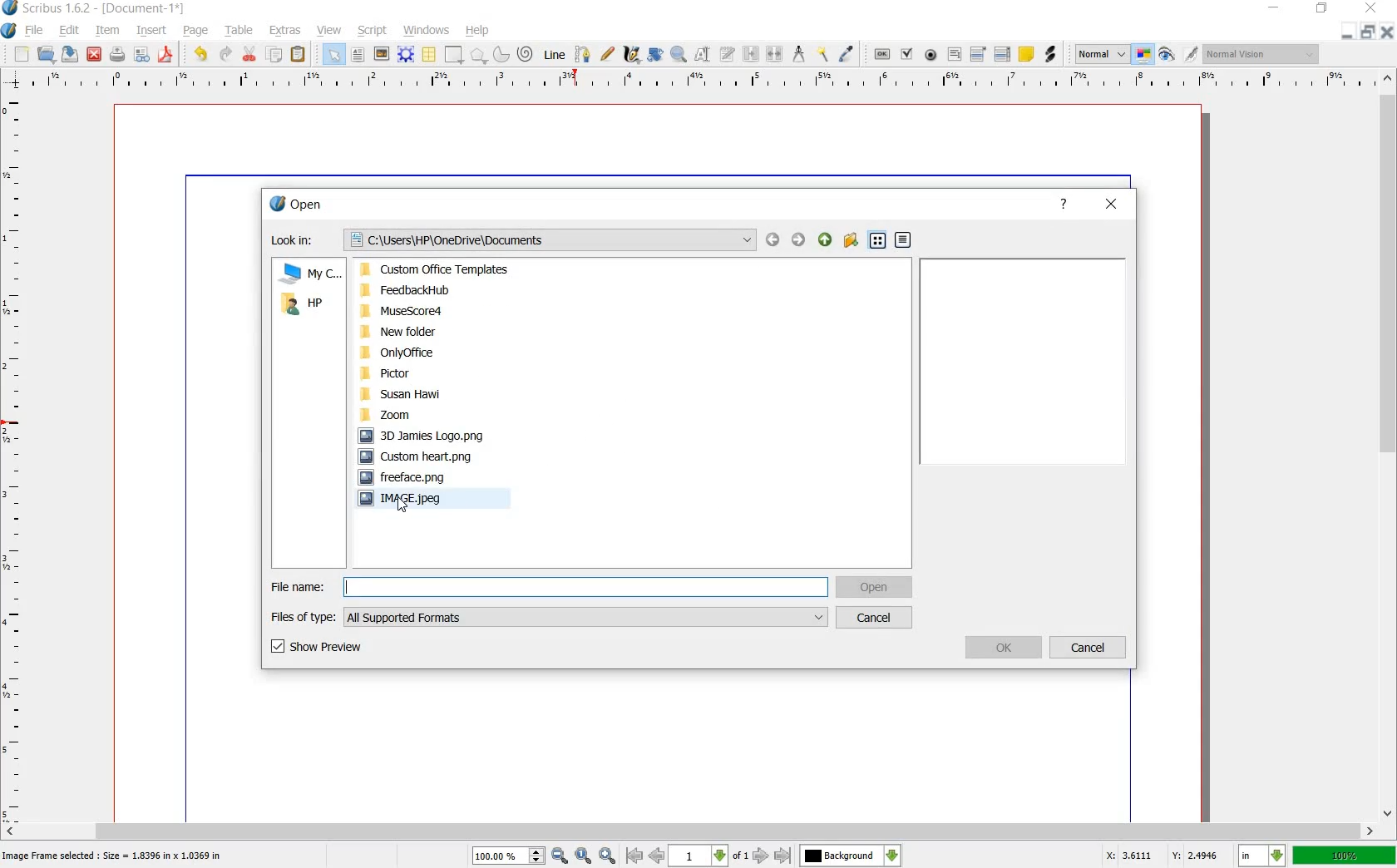 This screenshot has height=868, width=1397. What do you see at coordinates (631, 55) in the screenshot?
I see `calligraphic line` at bounding box center [631, 55].